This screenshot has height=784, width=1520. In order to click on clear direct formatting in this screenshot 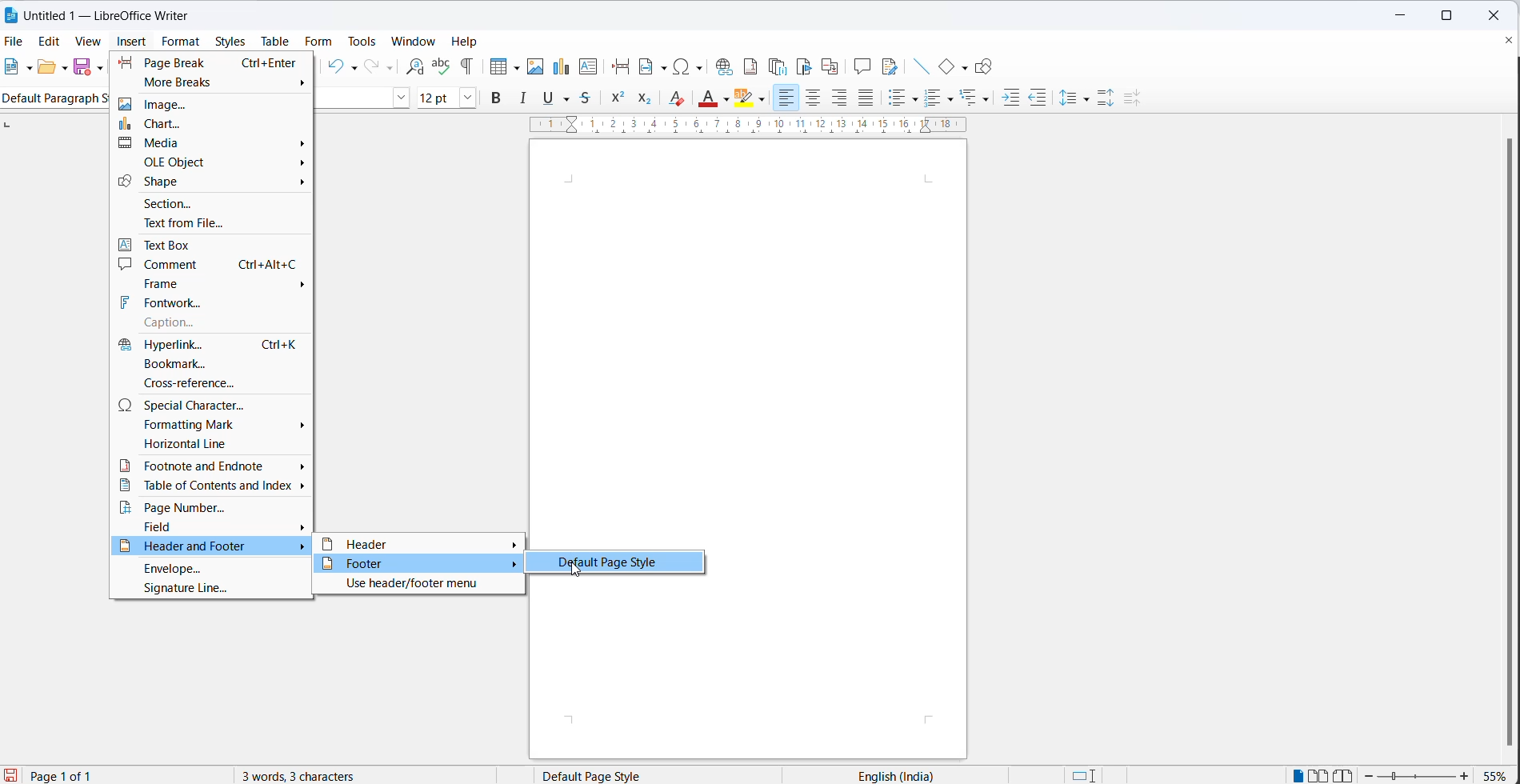, I will do `click(679, 99)`.